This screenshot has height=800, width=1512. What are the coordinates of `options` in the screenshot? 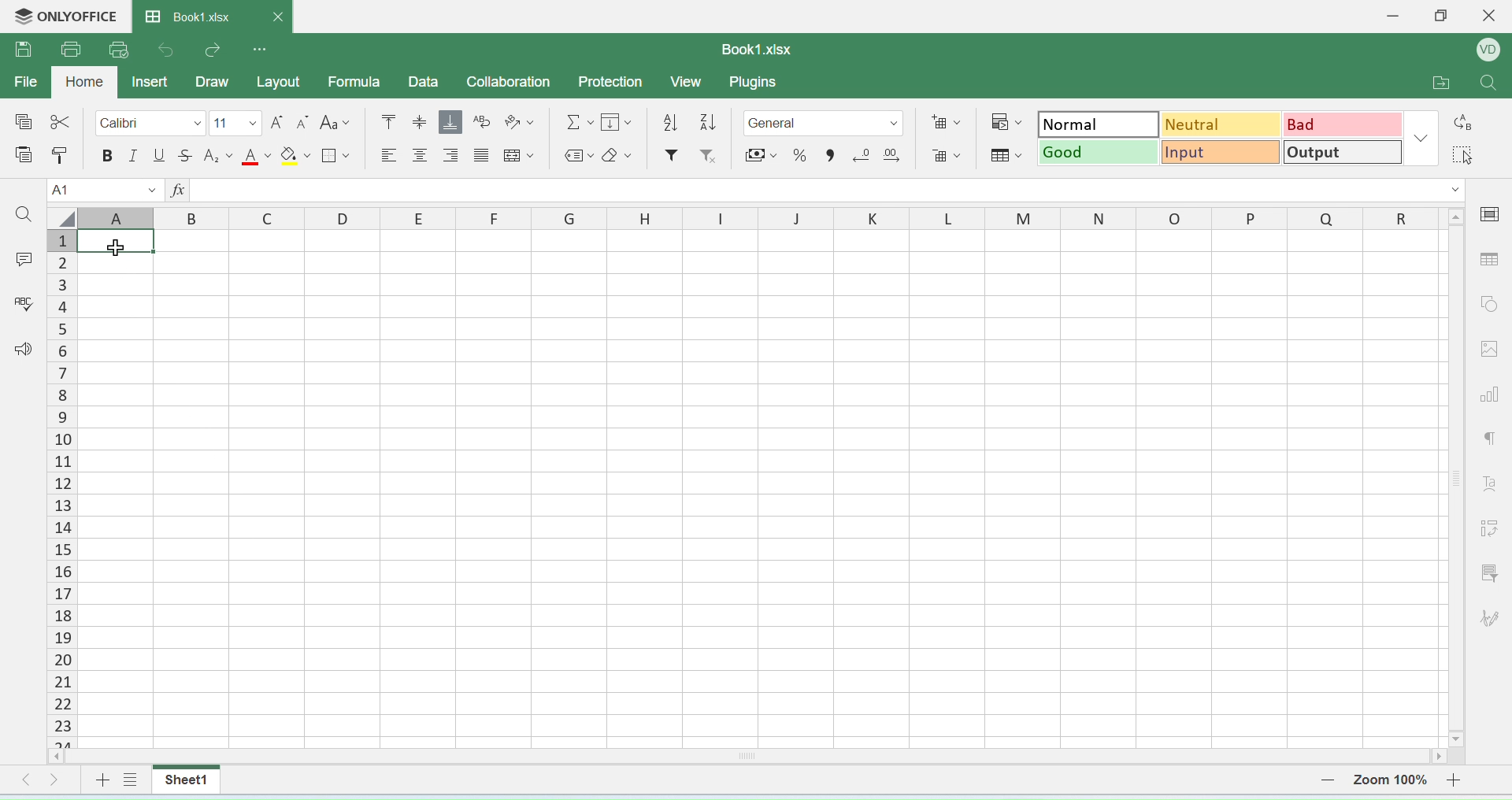 It's located at (258, 47).